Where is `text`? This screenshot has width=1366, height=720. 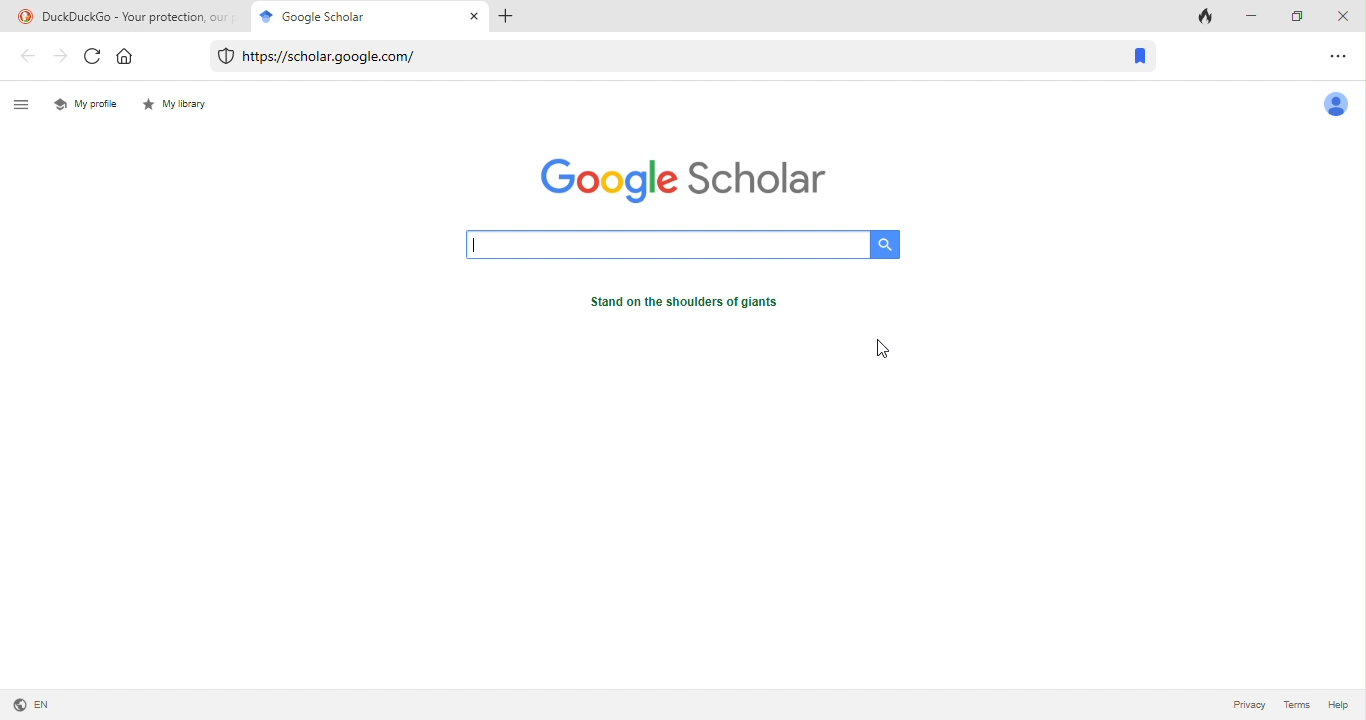
text is located at coordinates (694, 306).